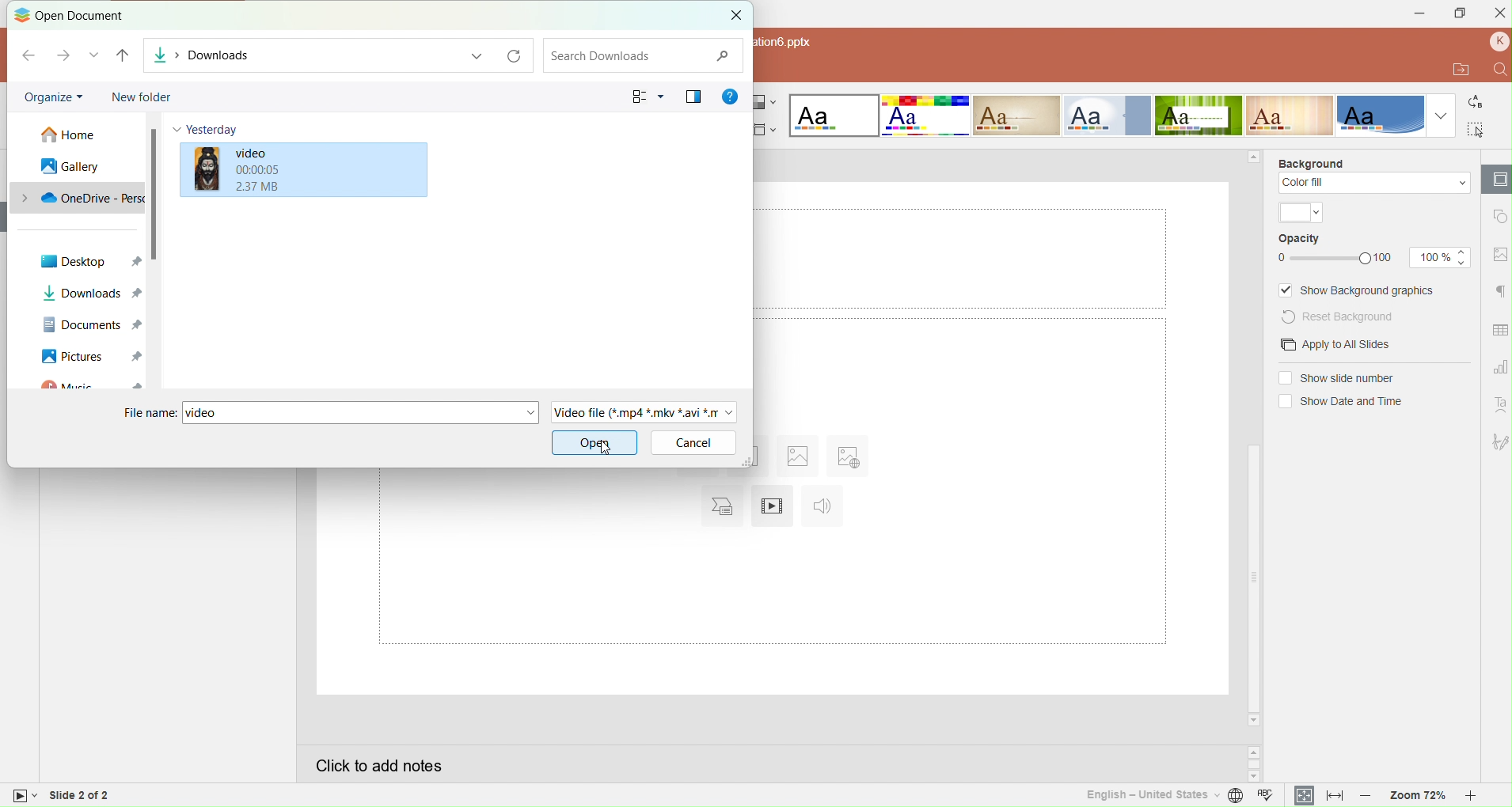 The width and height of the screenshot is (1512, 807). Describe the element at coordinates (1461, 70) in the screenshot. I see `Open file location` at that location.